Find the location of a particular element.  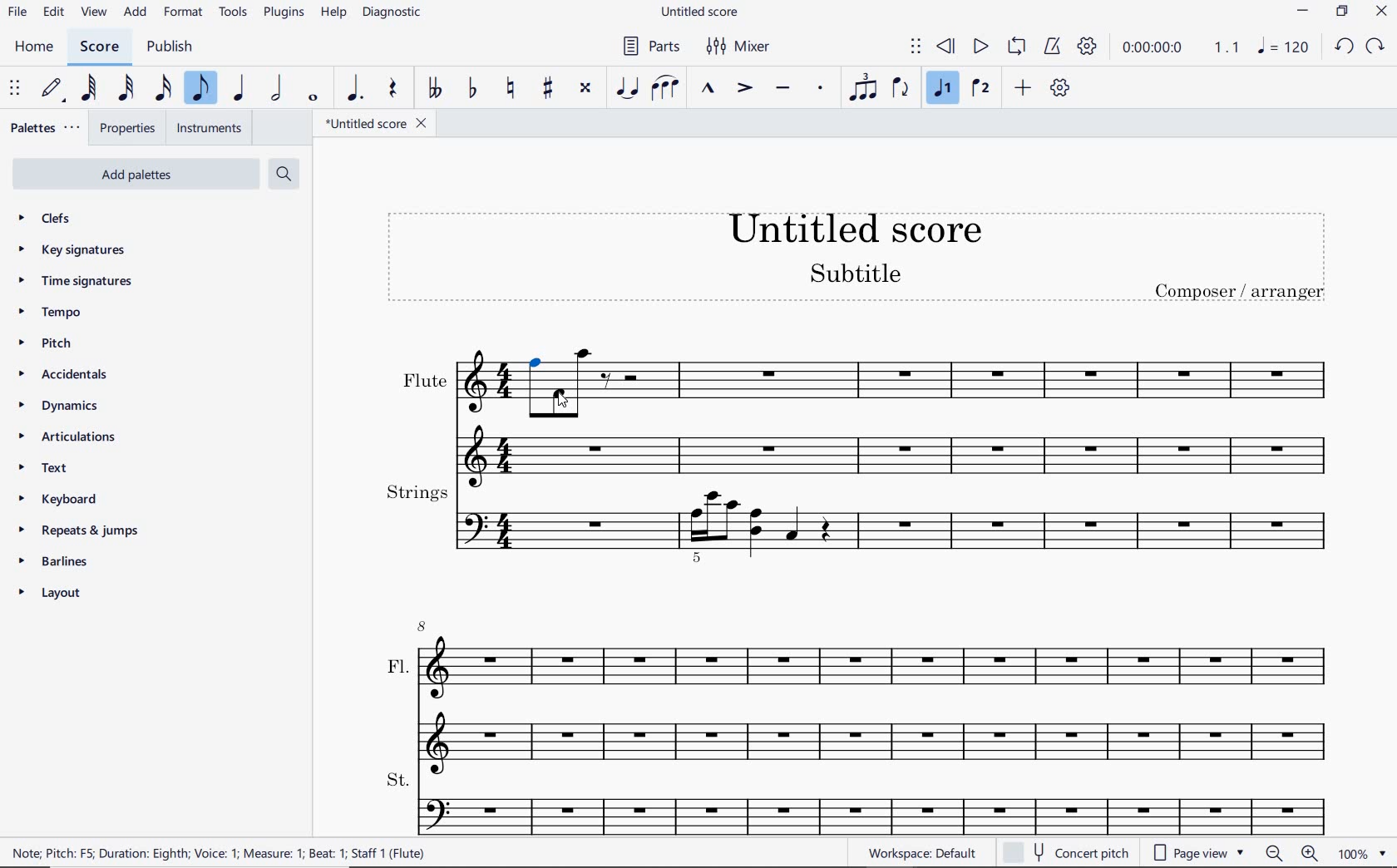

LOOP PLAYBACK is located at coordinates (1016, 47).